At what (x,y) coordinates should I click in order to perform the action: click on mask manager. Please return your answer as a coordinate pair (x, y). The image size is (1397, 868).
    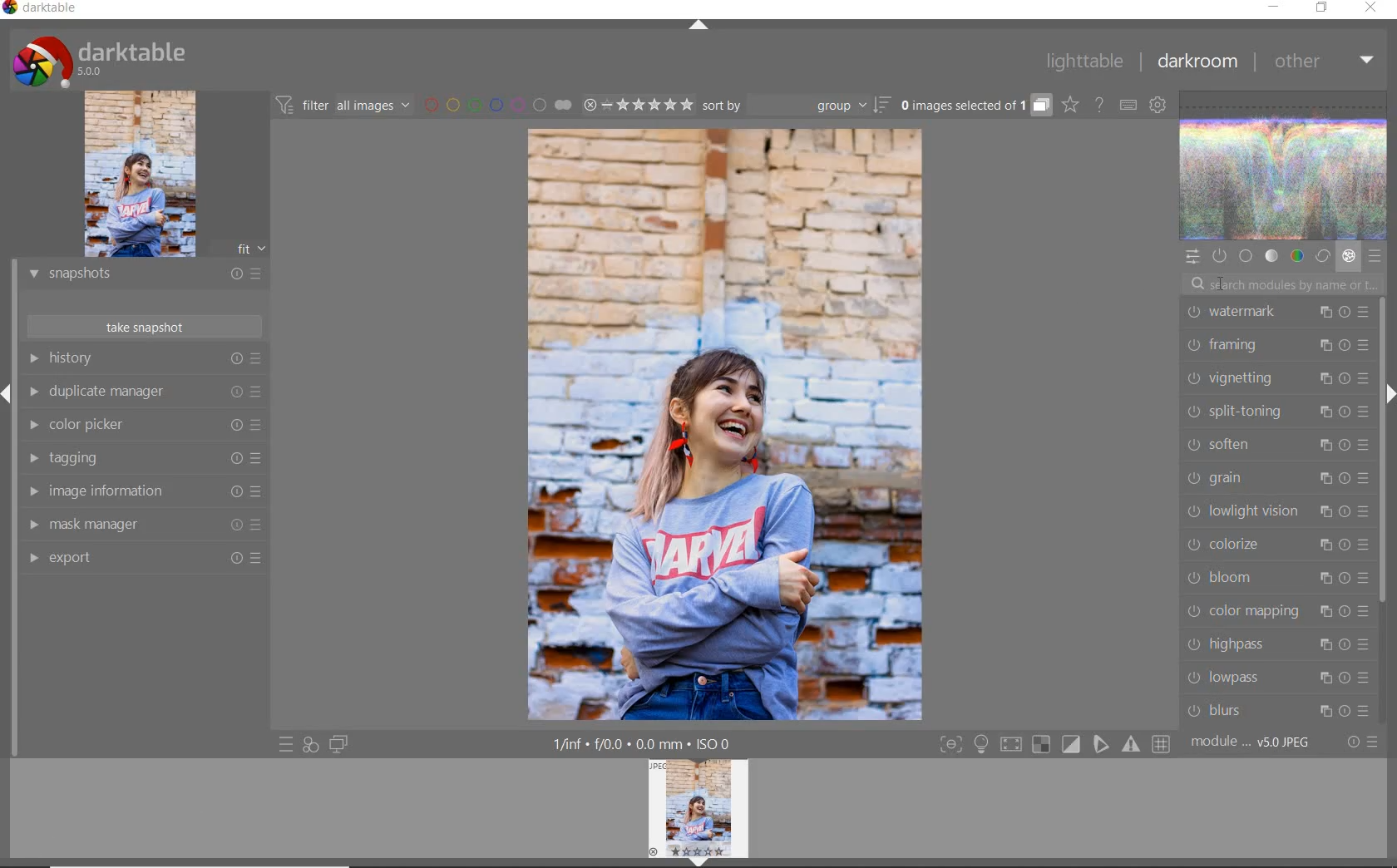
    Looking at the image, I should click on (143, 526).